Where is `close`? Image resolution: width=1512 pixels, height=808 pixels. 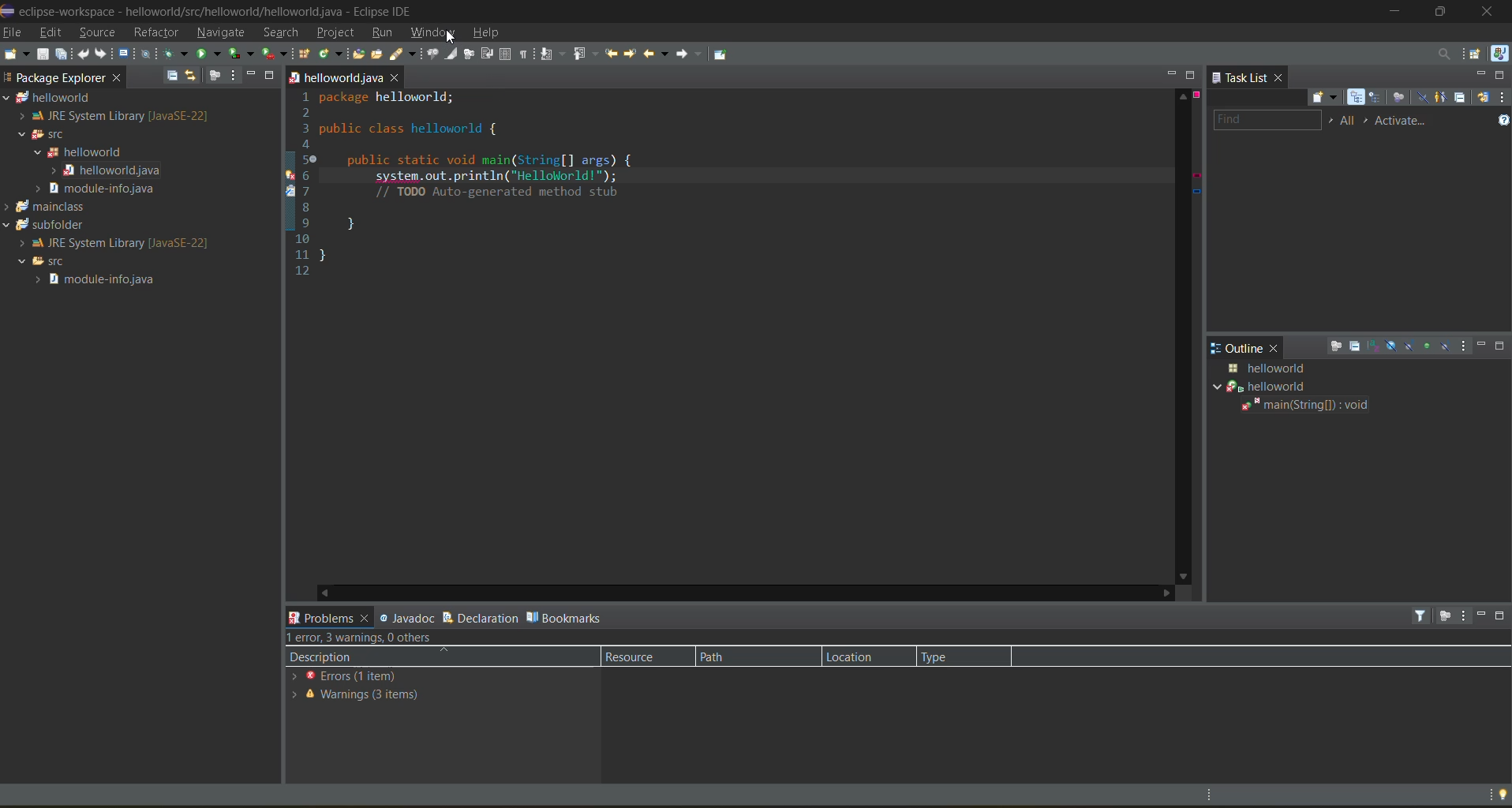
close is located at coordinates (397, 77).